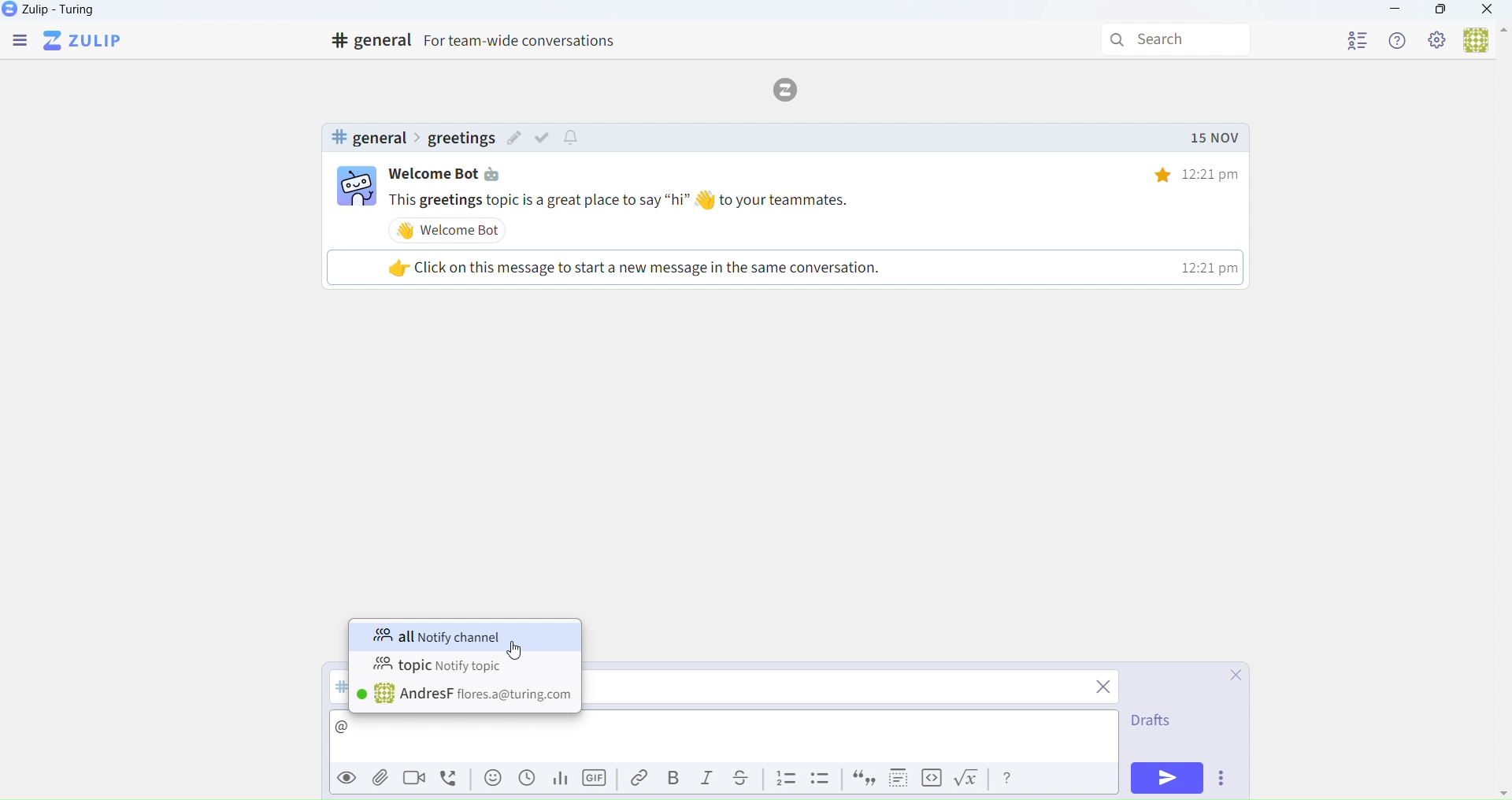 The image size is (1512, 800). I want to click on Preview, so click(344, 778).